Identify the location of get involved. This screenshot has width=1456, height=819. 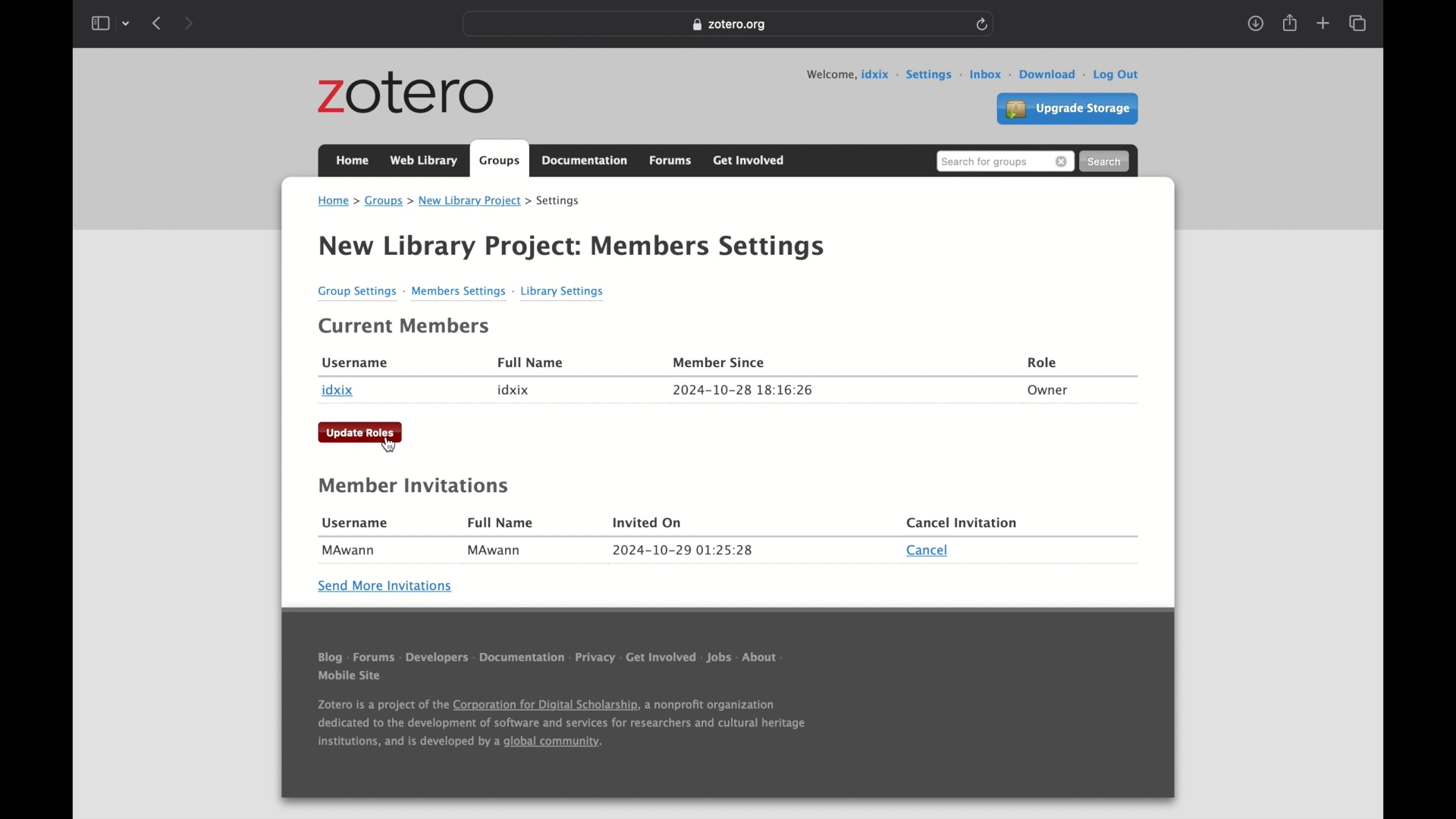
(658, 656).